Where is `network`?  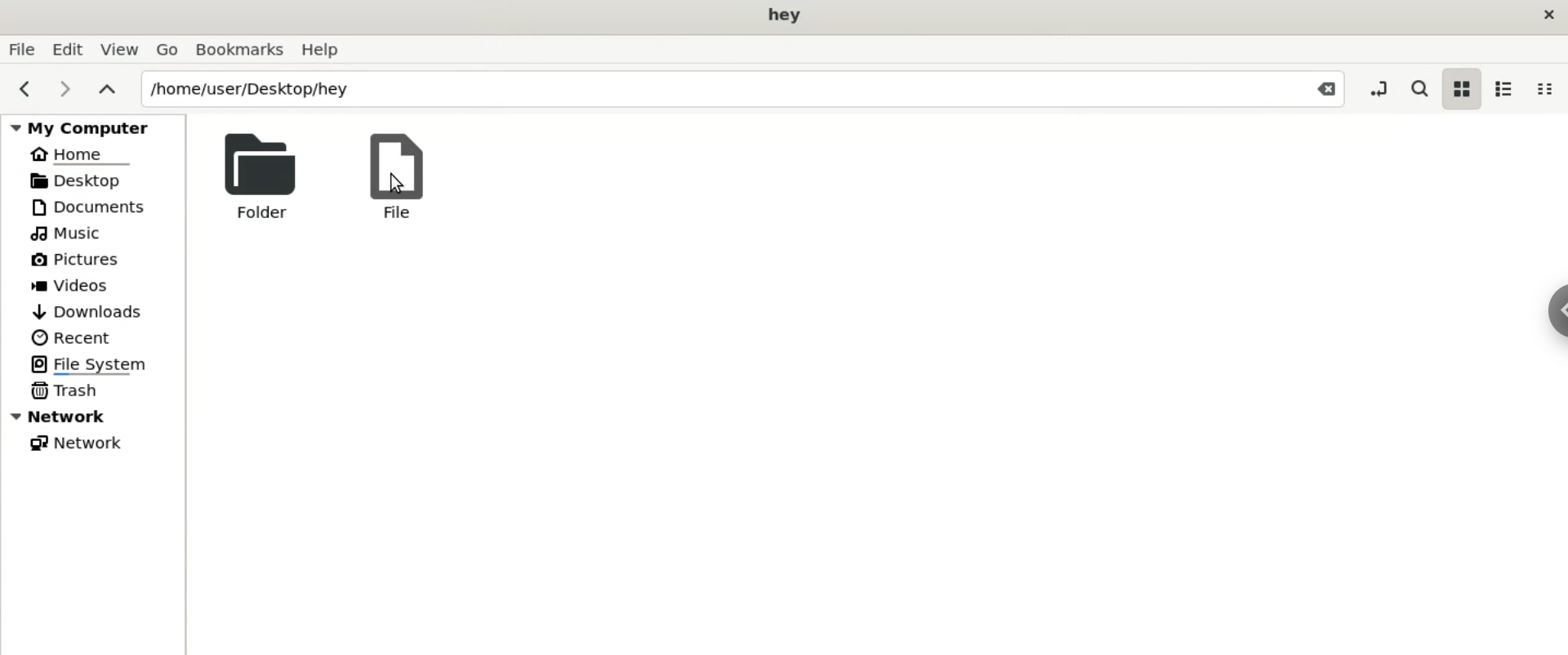 network is located at coordinates (74, 443).